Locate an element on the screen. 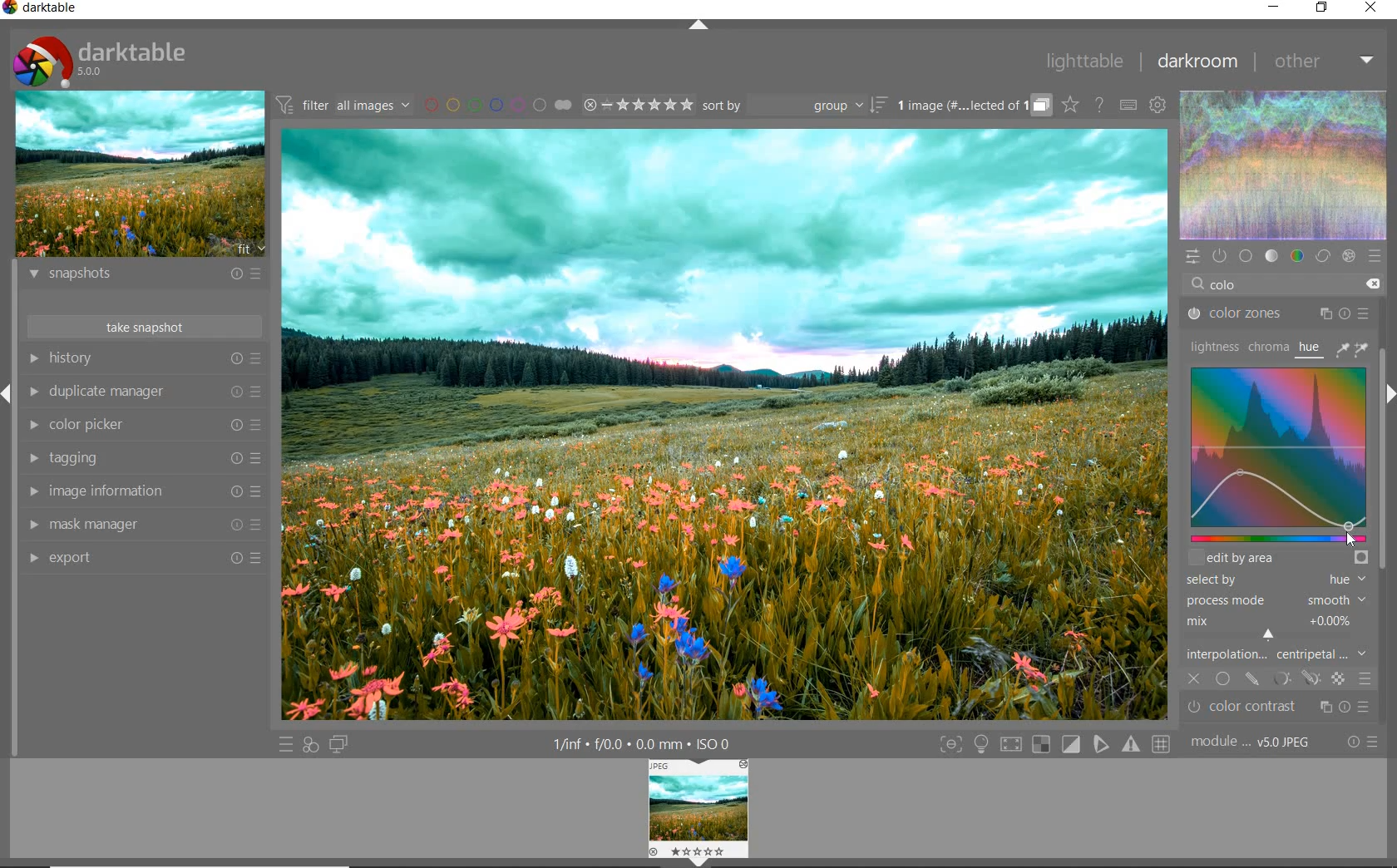  uniformly is located at coordinates (1224, 679).